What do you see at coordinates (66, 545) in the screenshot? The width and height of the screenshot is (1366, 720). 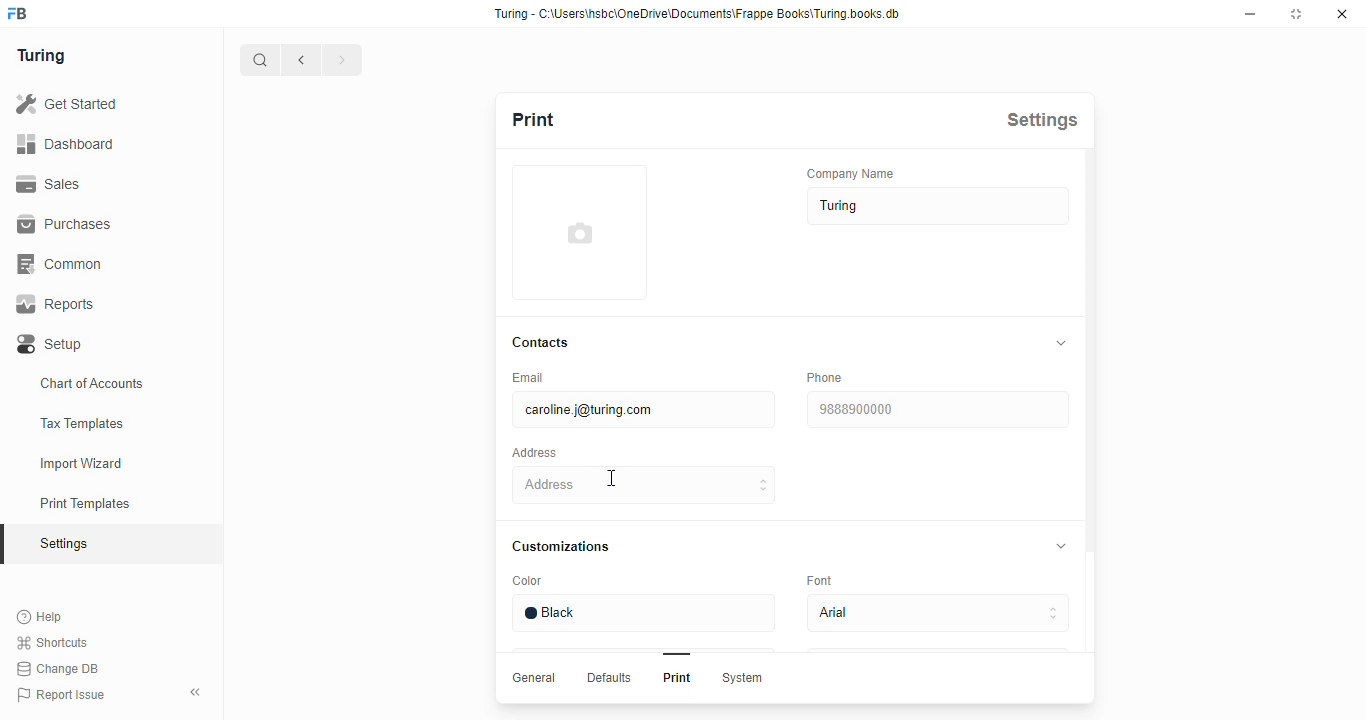 I see `settings` at bounding box center [66, 545].